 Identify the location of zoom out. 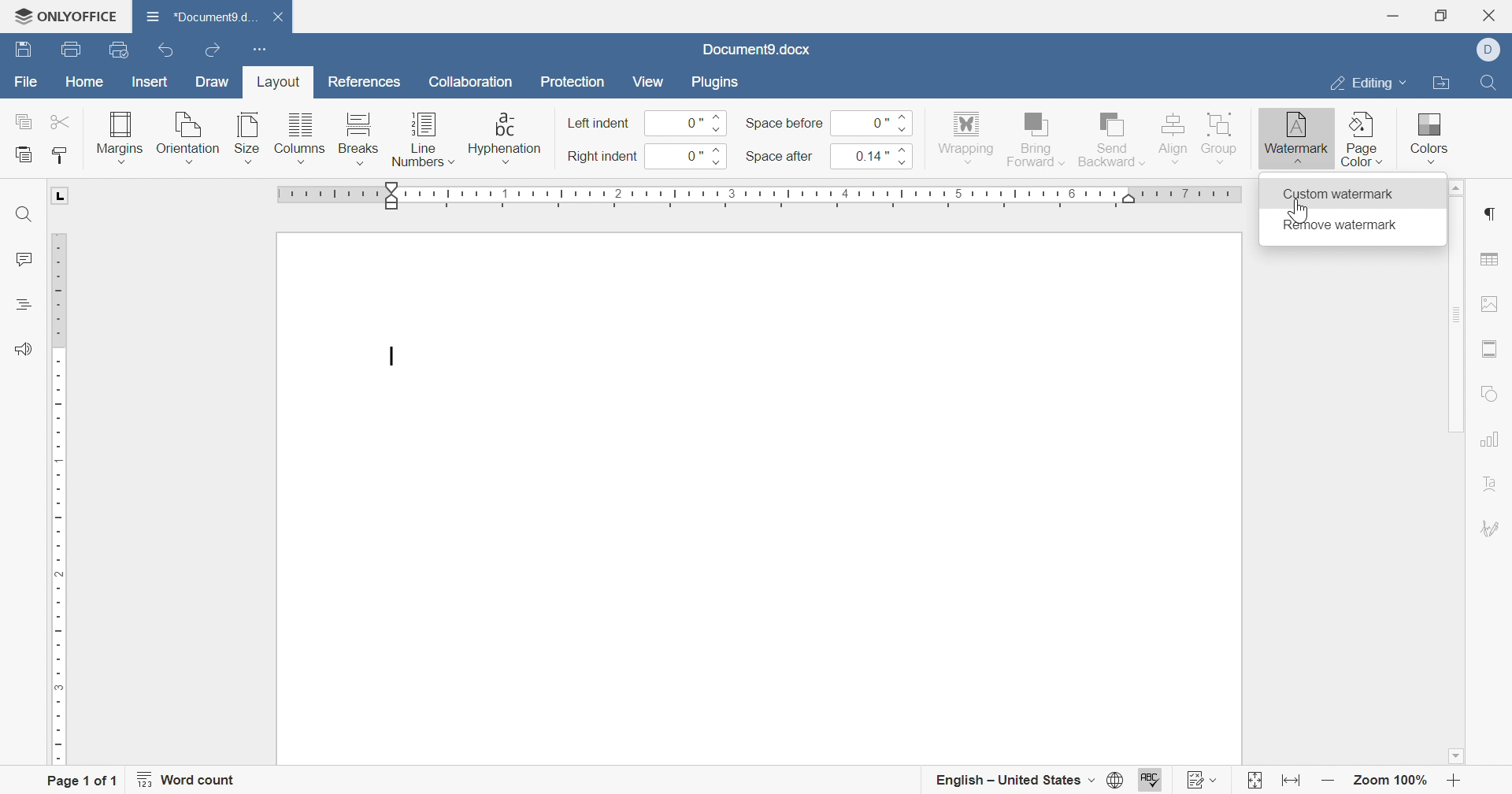
(1329, 781).